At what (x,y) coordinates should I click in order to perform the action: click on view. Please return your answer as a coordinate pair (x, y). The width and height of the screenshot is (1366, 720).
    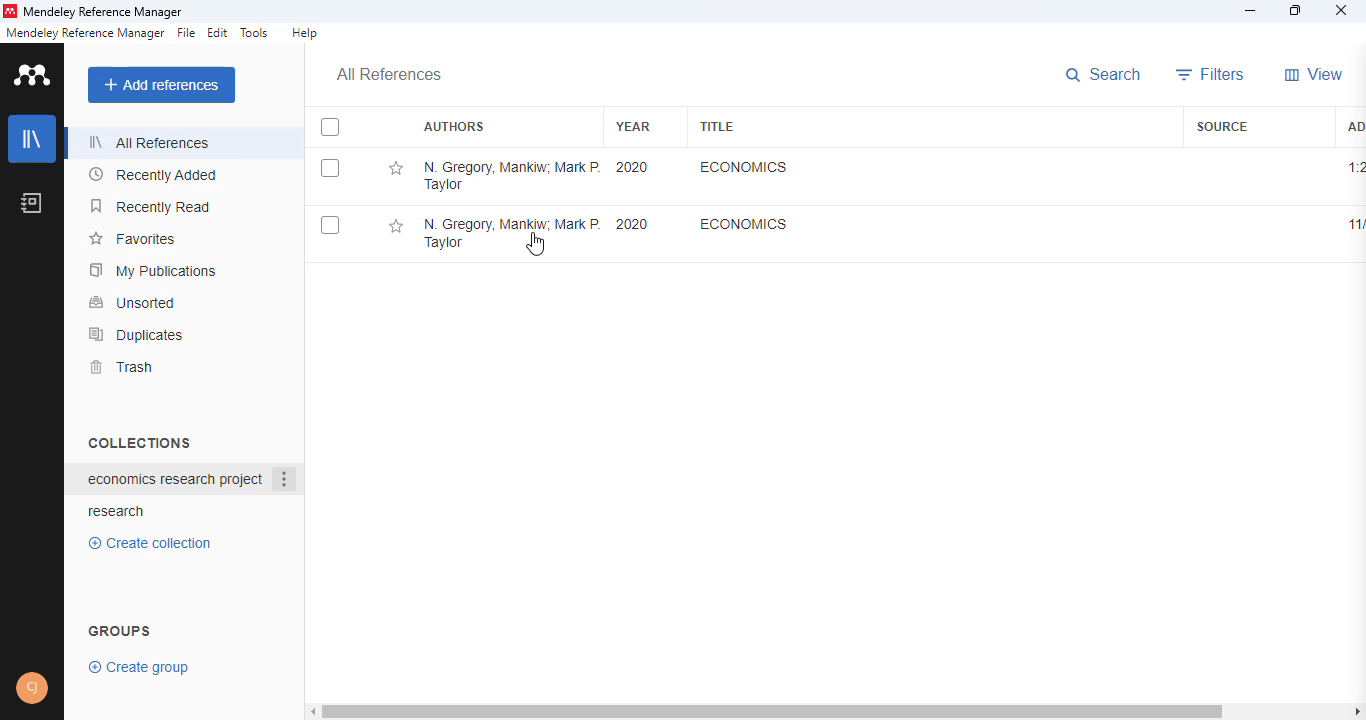
    Looking at the image, I should click on (1314, 74).